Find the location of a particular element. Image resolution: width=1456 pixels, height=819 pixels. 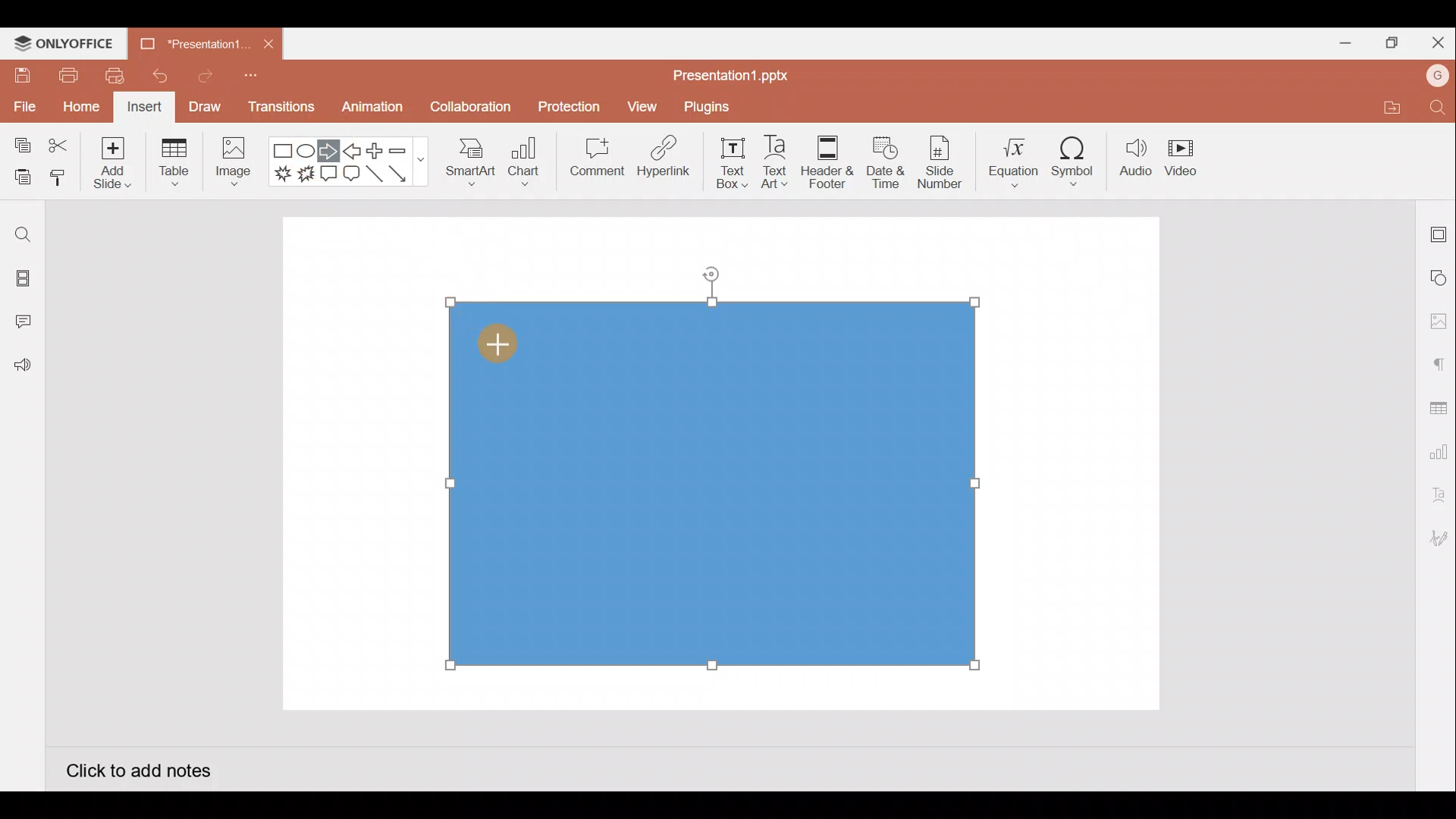

Home is located at coordinates (81, 108).